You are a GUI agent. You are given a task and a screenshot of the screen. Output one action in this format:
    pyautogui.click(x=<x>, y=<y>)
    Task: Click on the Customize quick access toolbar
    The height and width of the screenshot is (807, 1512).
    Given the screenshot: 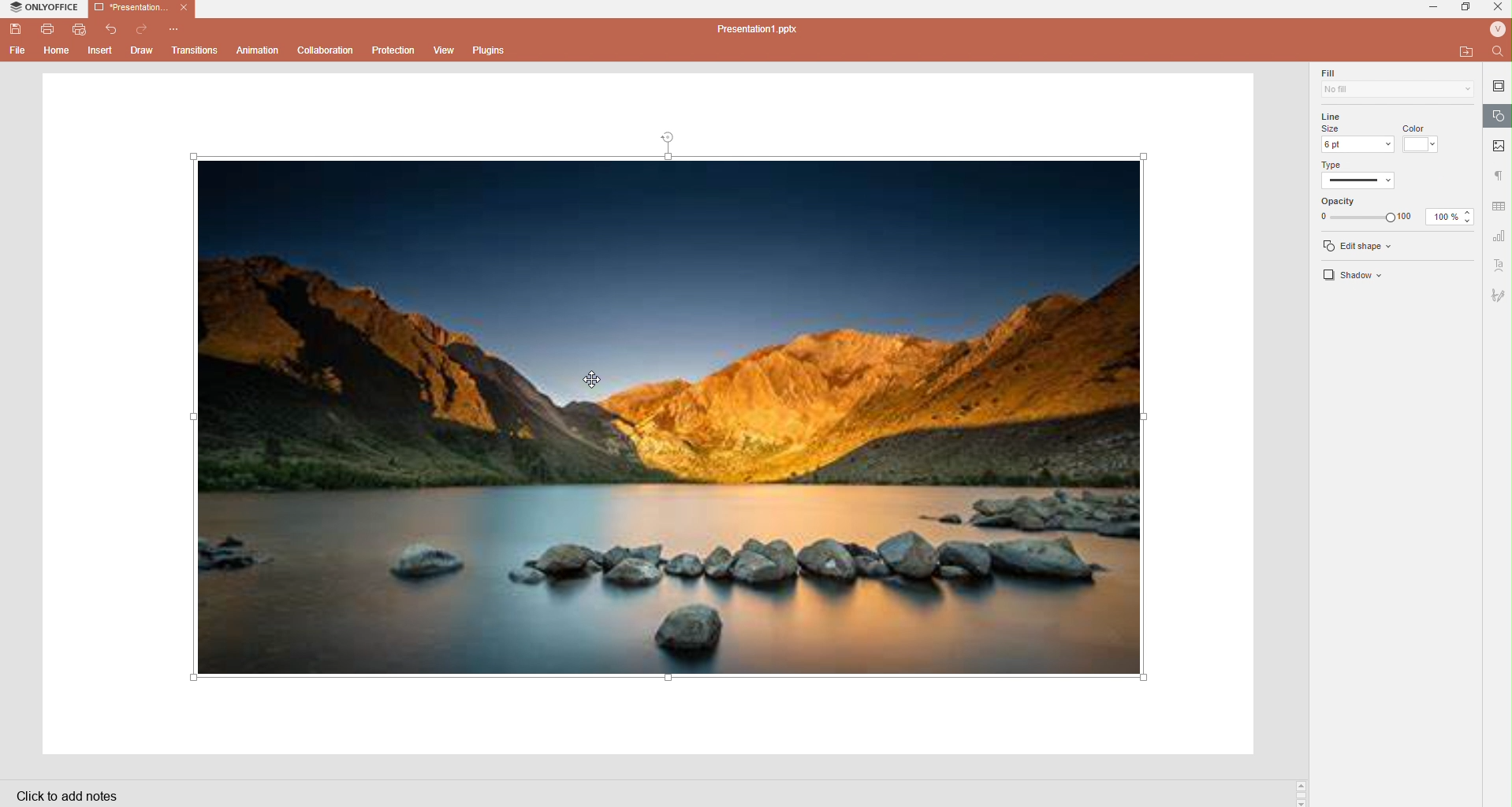 What is the action you would take?
    pyautogui.click(x=176, y=28)
    